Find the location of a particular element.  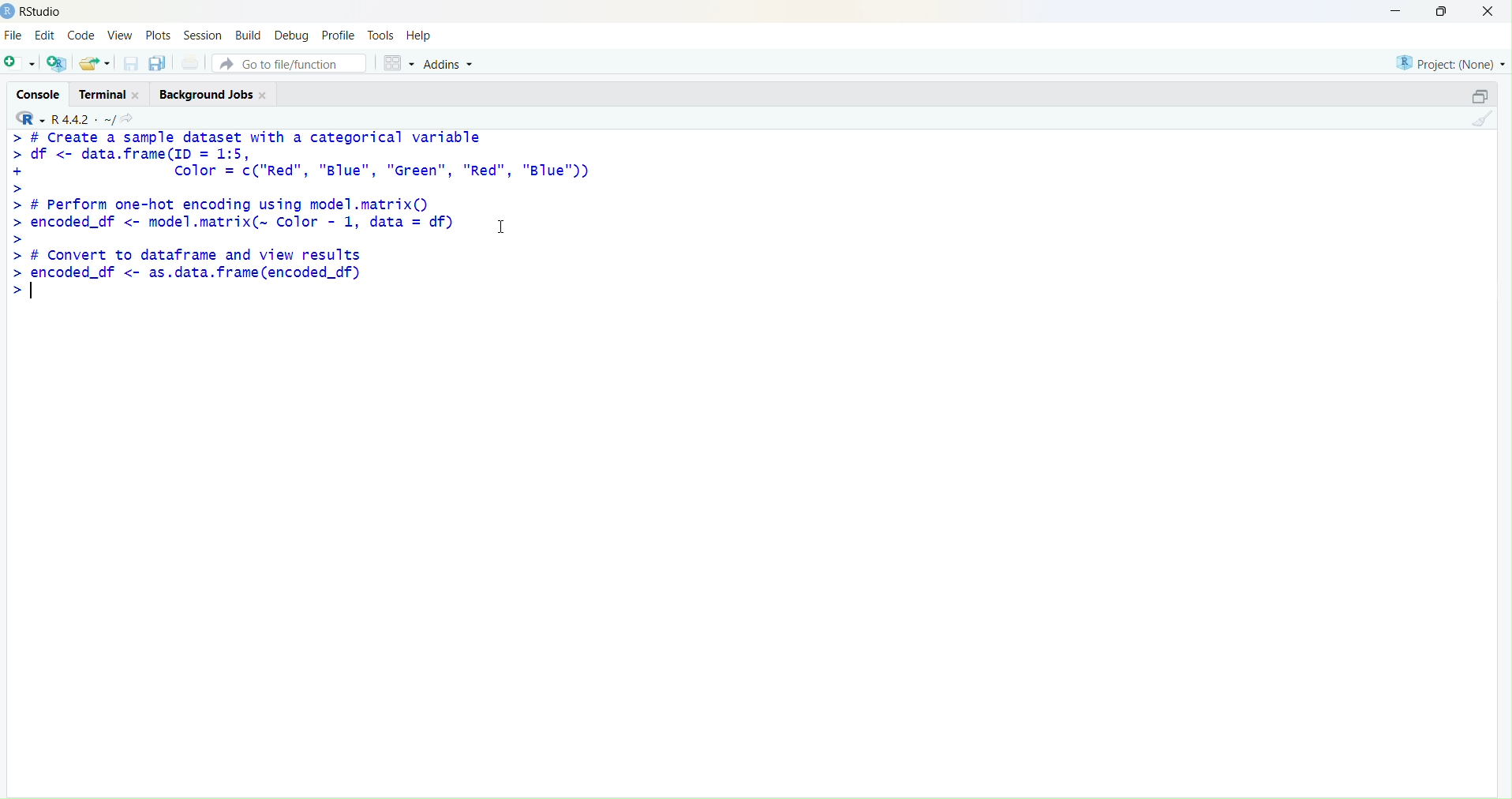

save is located at coordinates (133, 63).